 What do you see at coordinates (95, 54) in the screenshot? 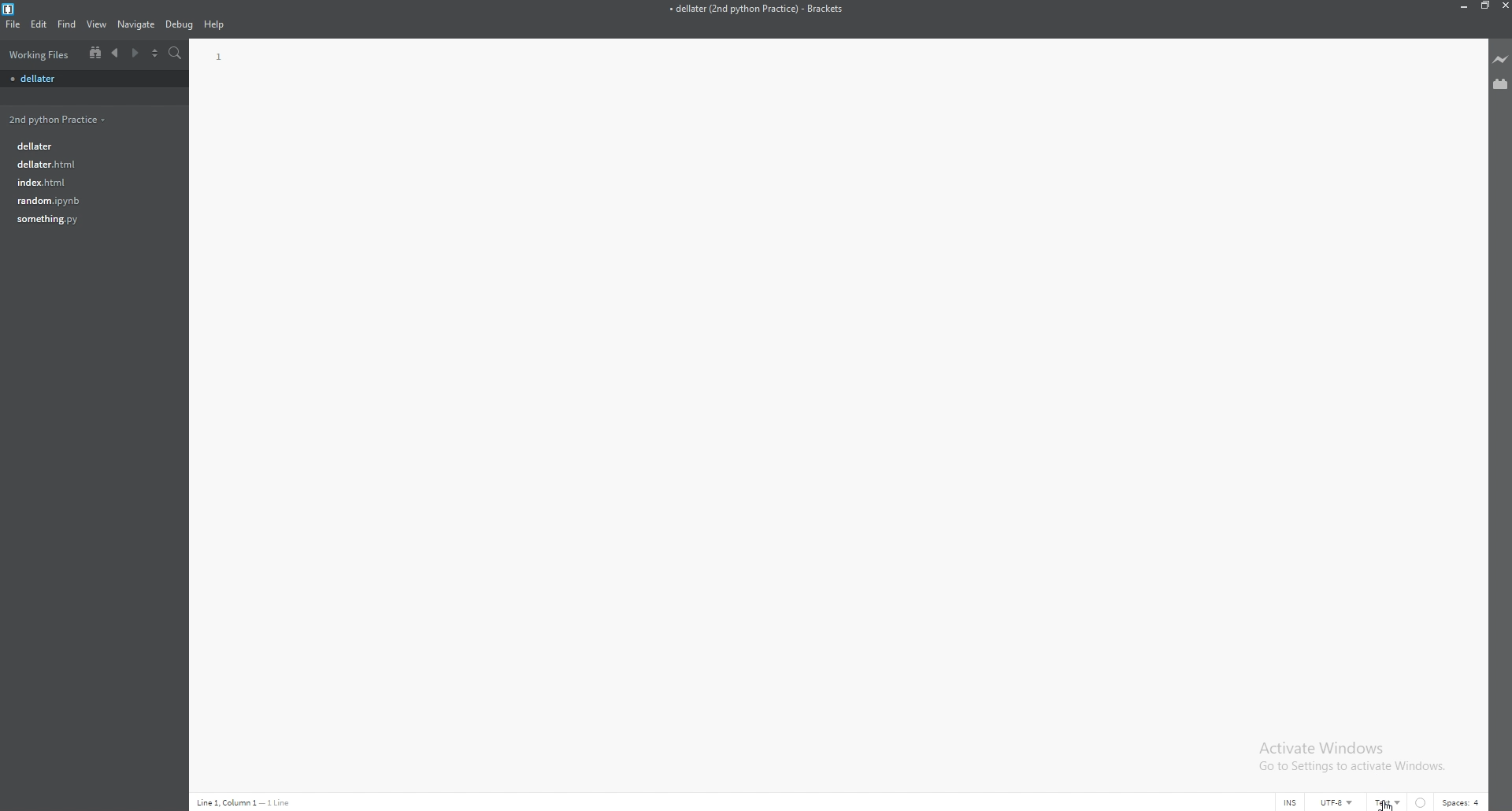
I see `tree view` at bounding box center [95, 54].